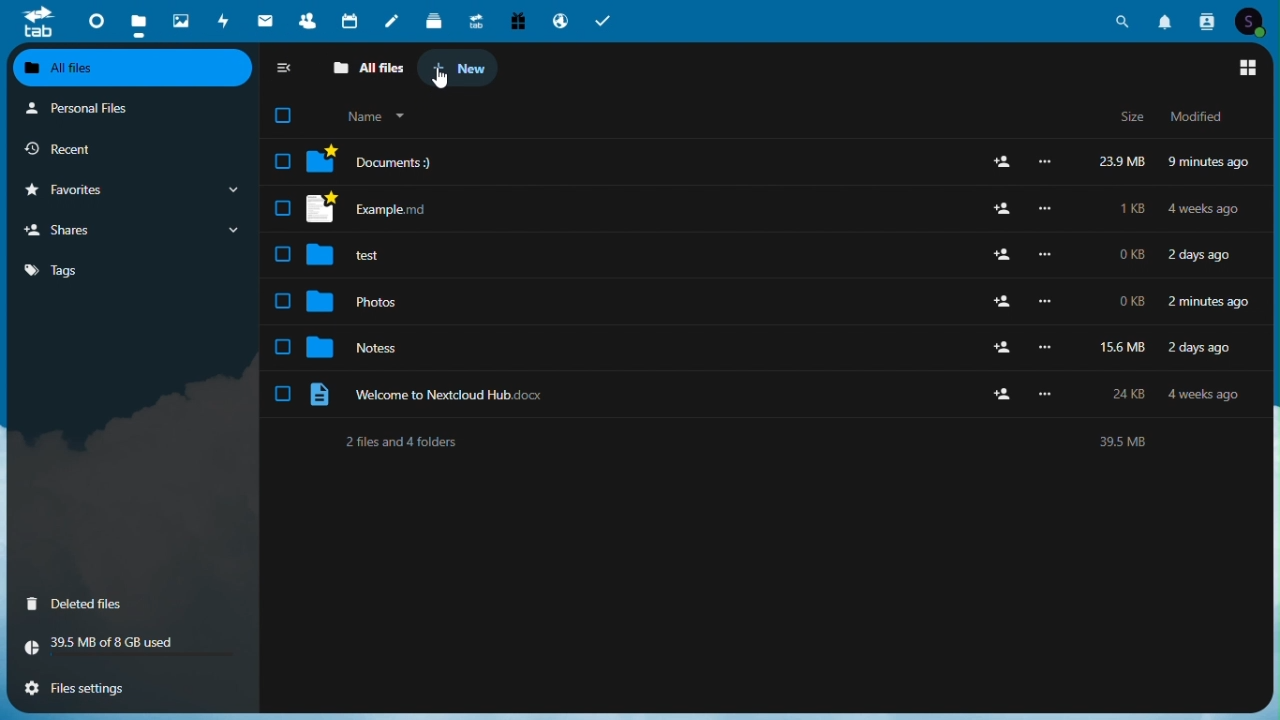 This screenshot has width=1280, height=720. What do you see at coordinates (603, 19) in the screenshot?
I see `tasks` at bounding box center [603, 19].